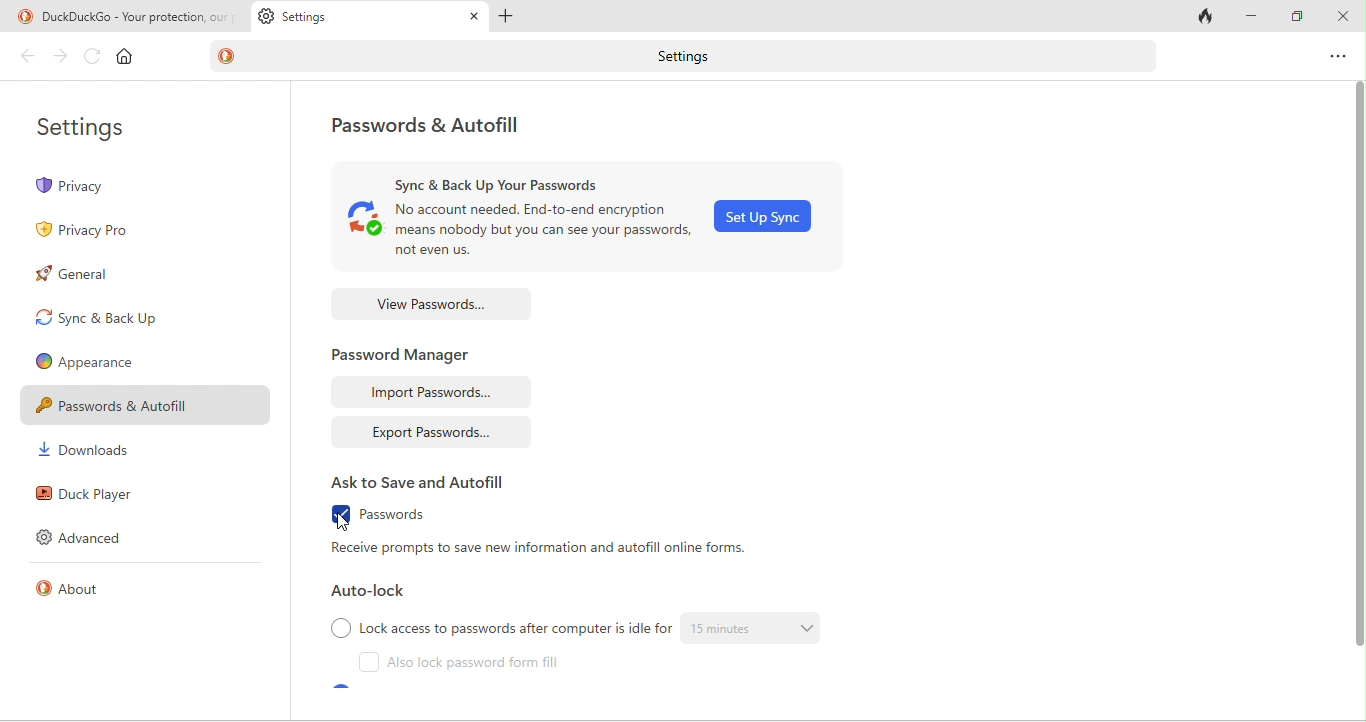 The height and width of the screenshot is (722, 1366). Describe the element at coordinates (376, 595) in the screenshot. I see `auto lock` at that location.